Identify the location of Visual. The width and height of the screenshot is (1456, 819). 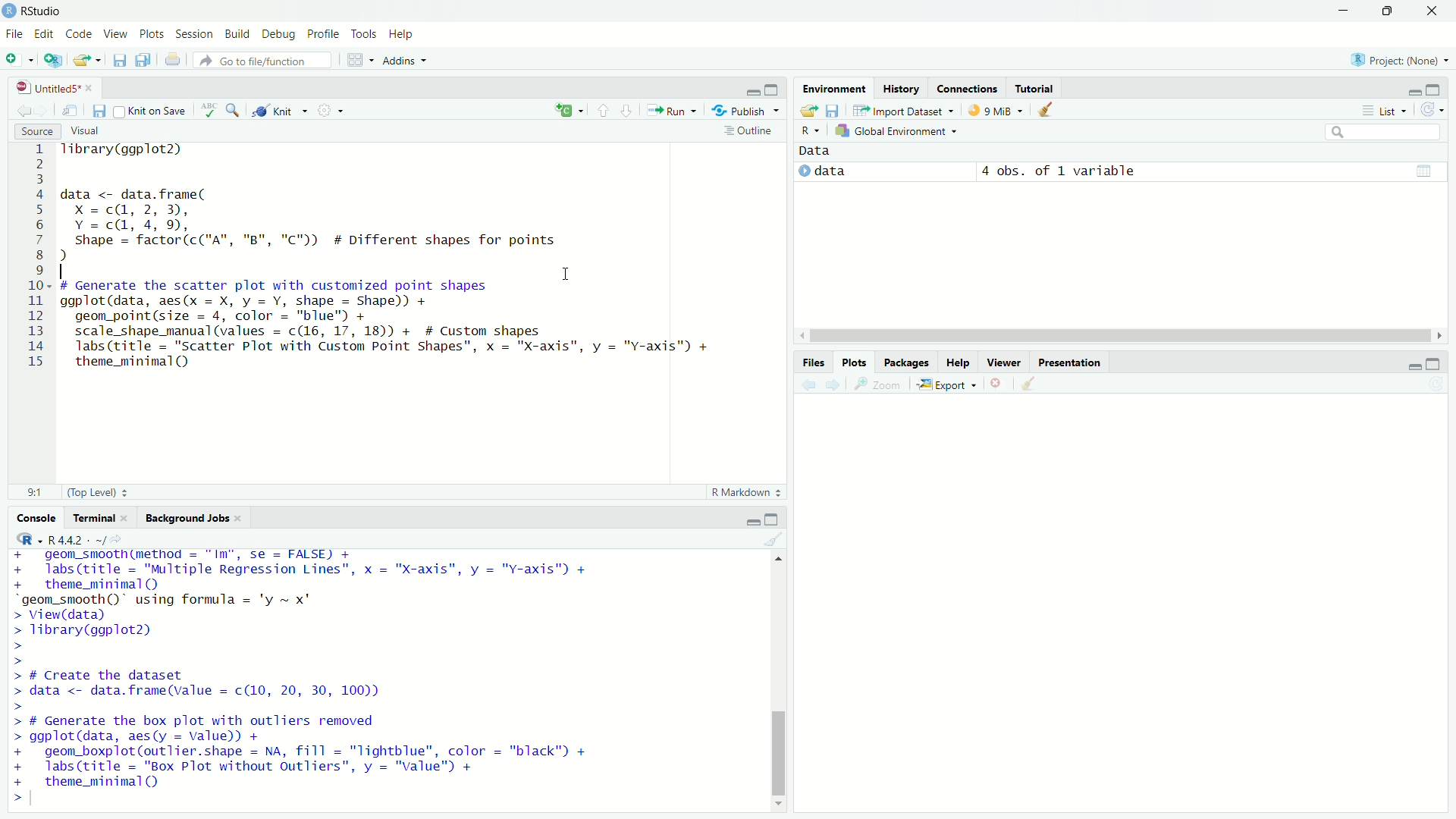
(84, 131).